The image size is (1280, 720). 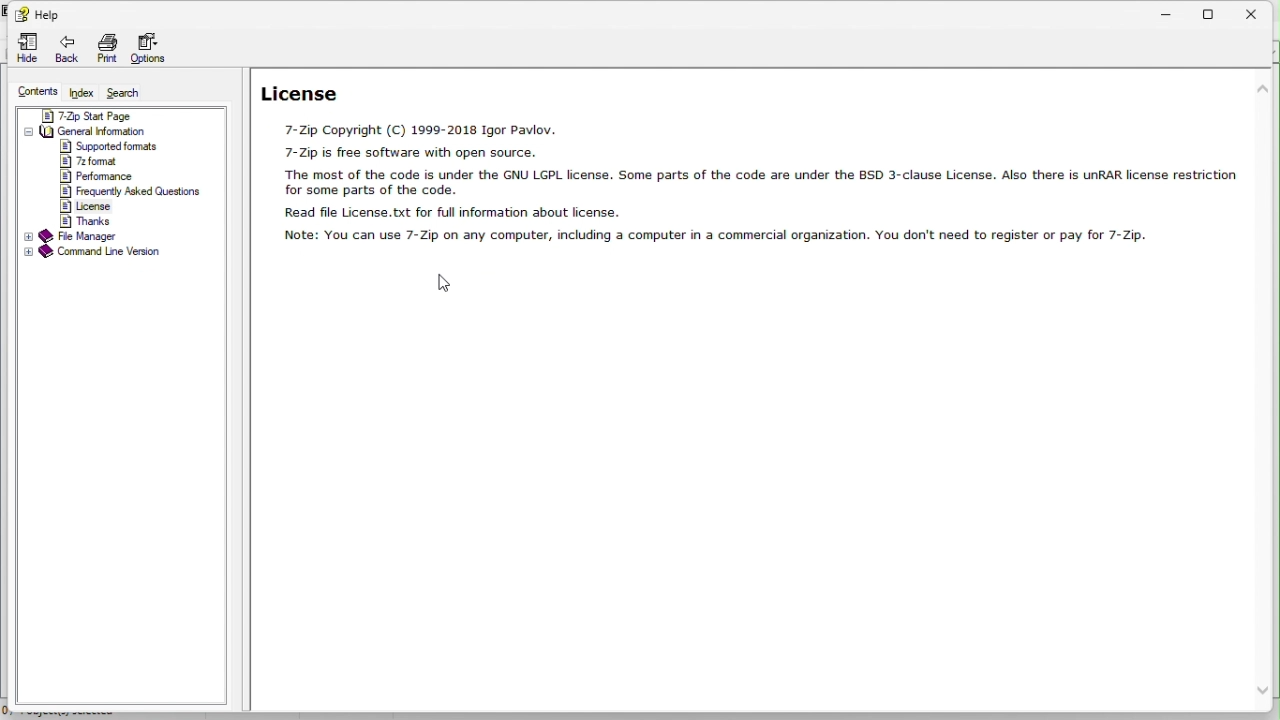 I want to click on Search, so click(x=122, y=92).